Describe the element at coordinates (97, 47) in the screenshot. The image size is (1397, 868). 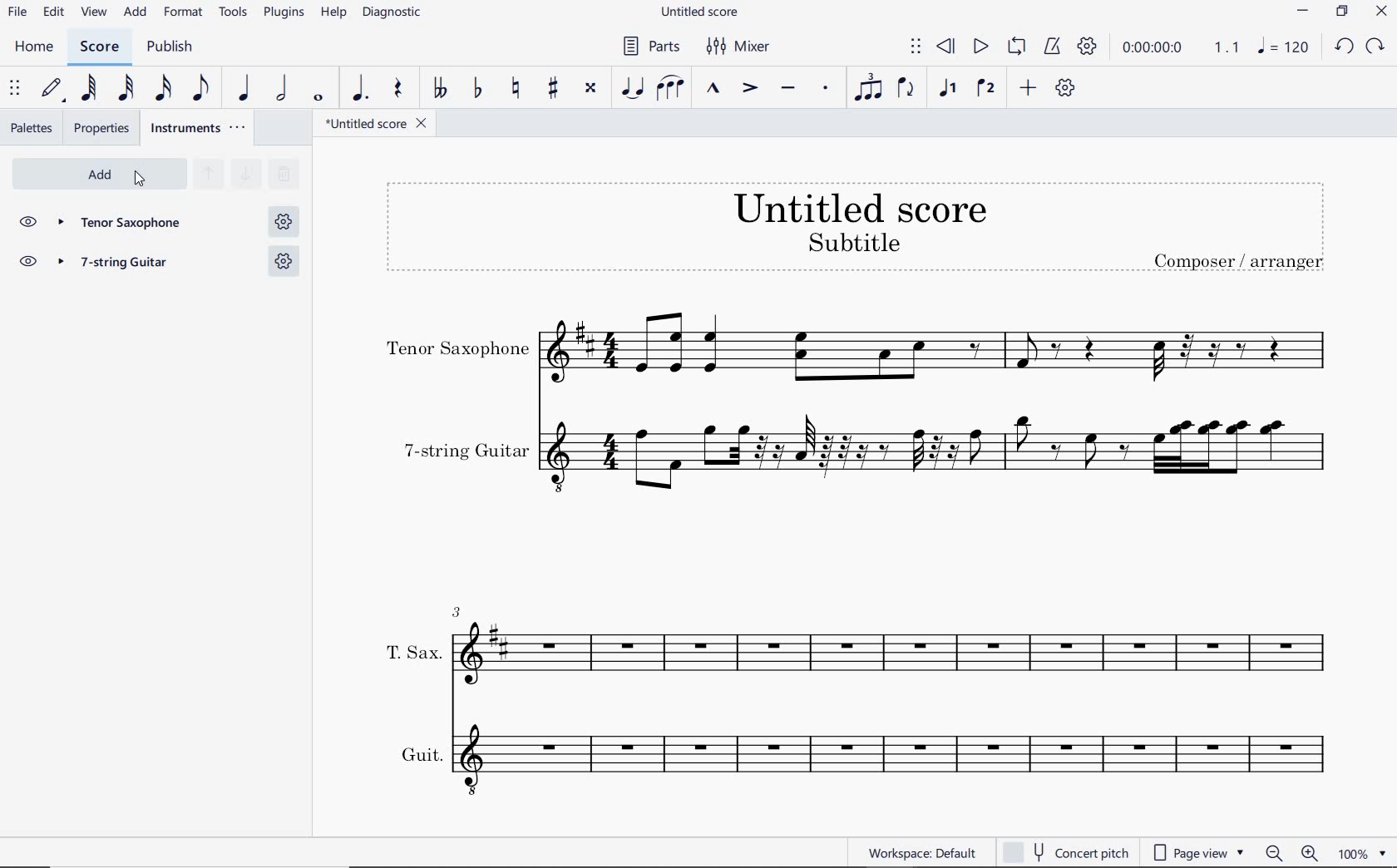
I see `SCORE` at that location.